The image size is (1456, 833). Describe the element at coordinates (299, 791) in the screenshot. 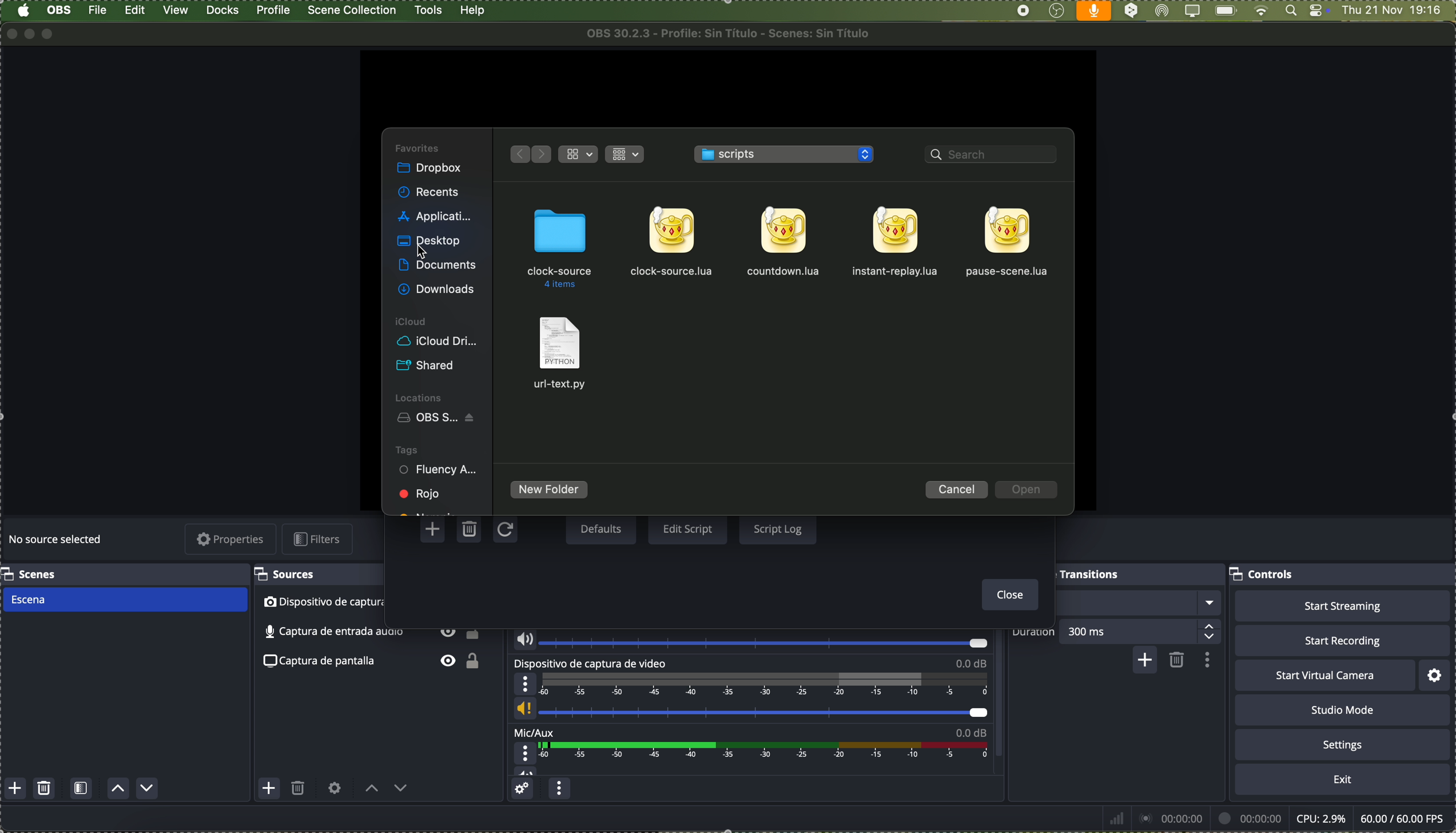

I see `remove selected source` at that location.